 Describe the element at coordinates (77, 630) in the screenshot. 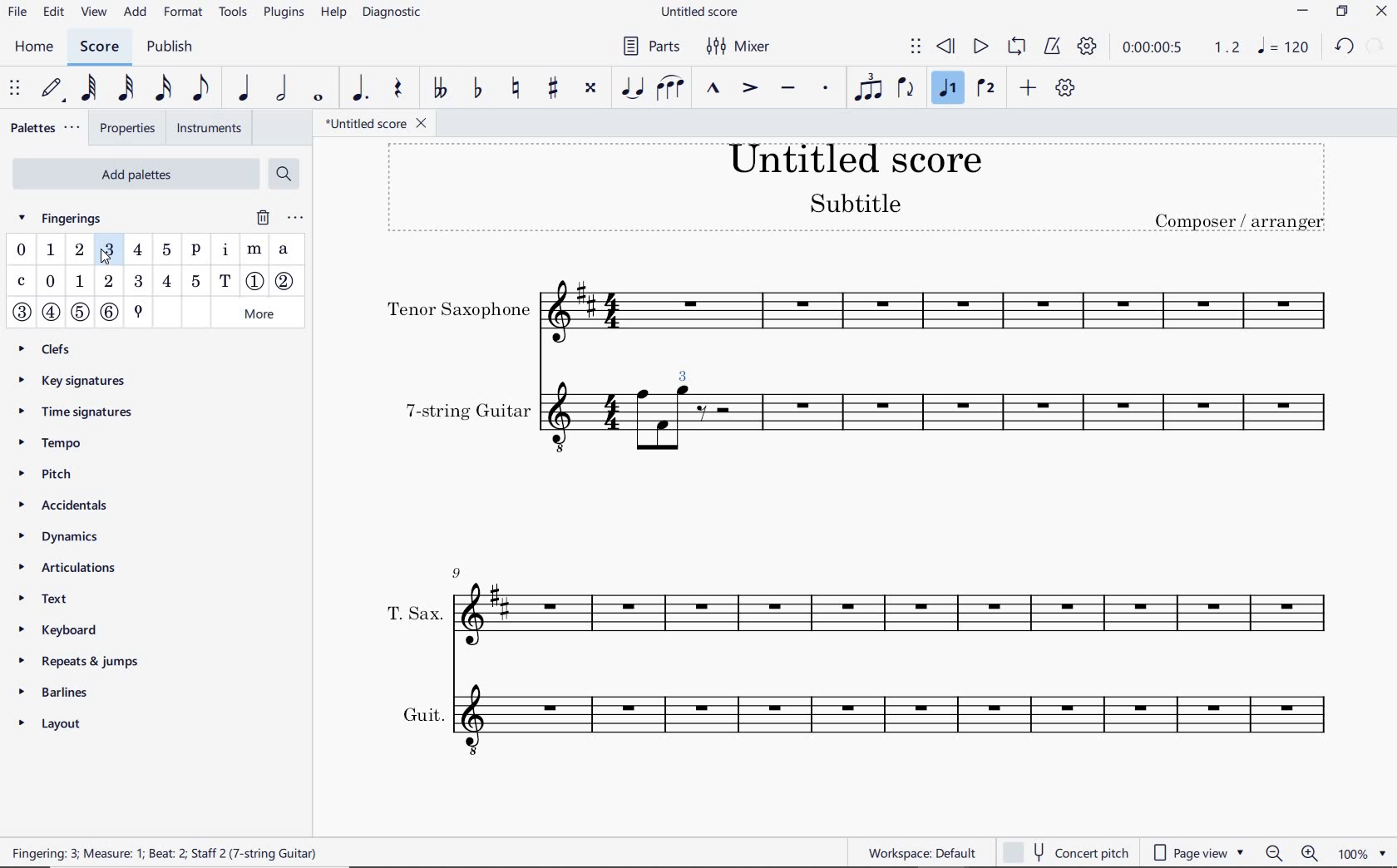

I see `KEYBOARD` at that location.